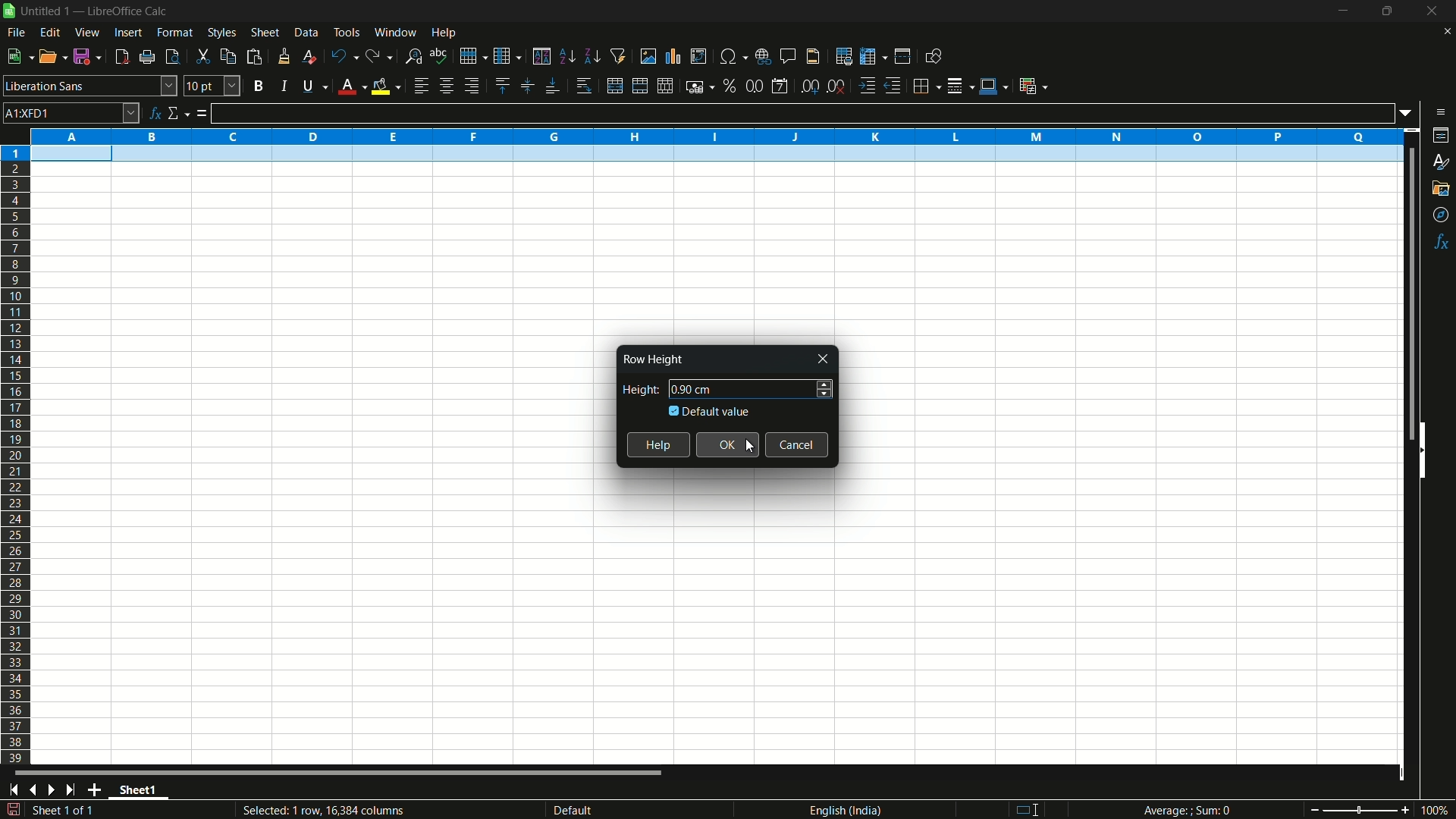 The height and width of the screenshot is (819, 1456). What do you see at coordinates (258, 85) in the screenshot?
I see `bold` at bounding box center [258, 85].